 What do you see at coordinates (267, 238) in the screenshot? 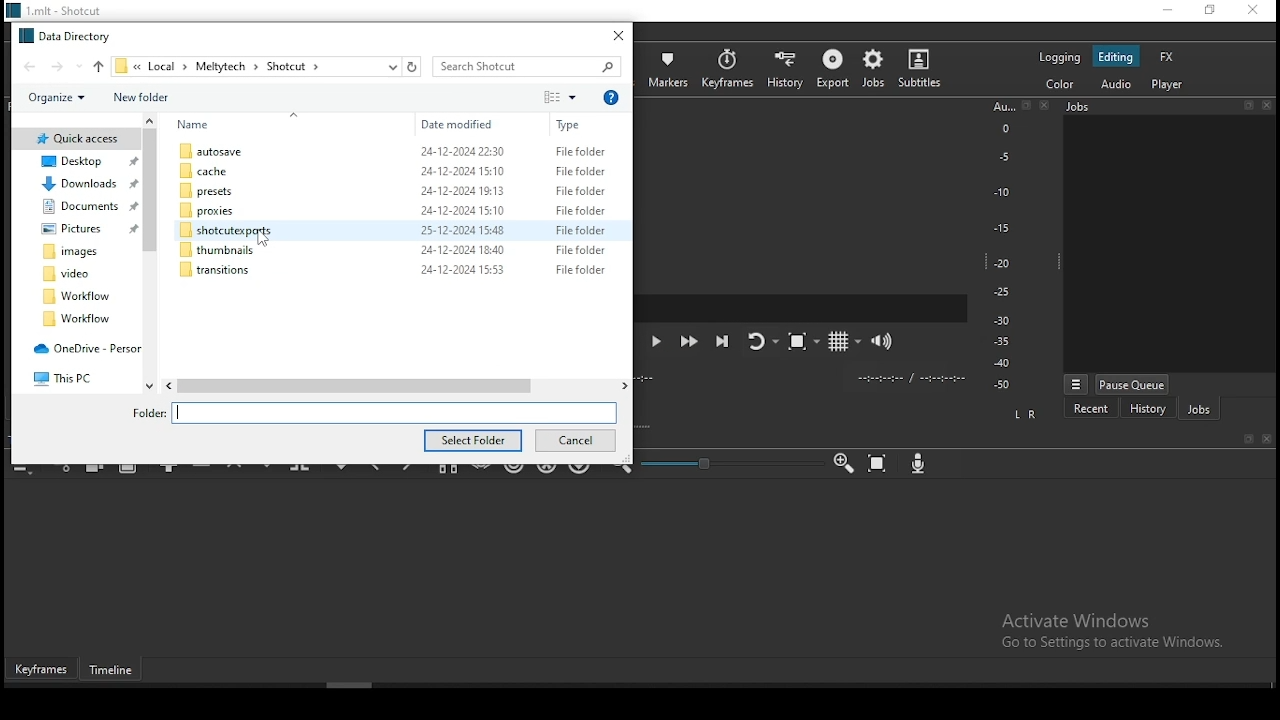
I see `cursor` at bounding box center [267, 238].